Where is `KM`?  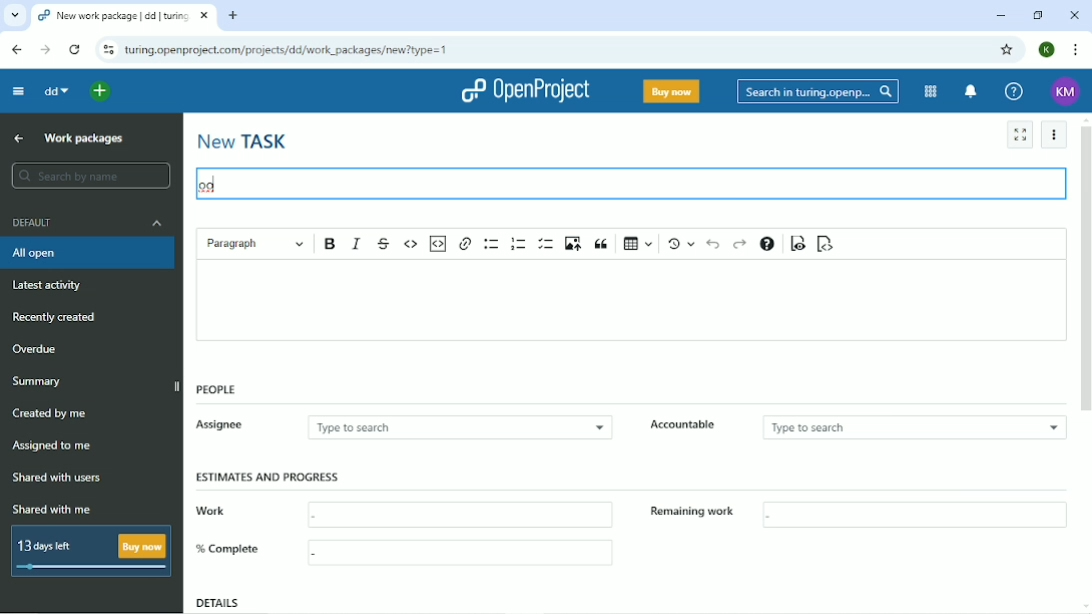
KM is located at coordinates (1067, 91).